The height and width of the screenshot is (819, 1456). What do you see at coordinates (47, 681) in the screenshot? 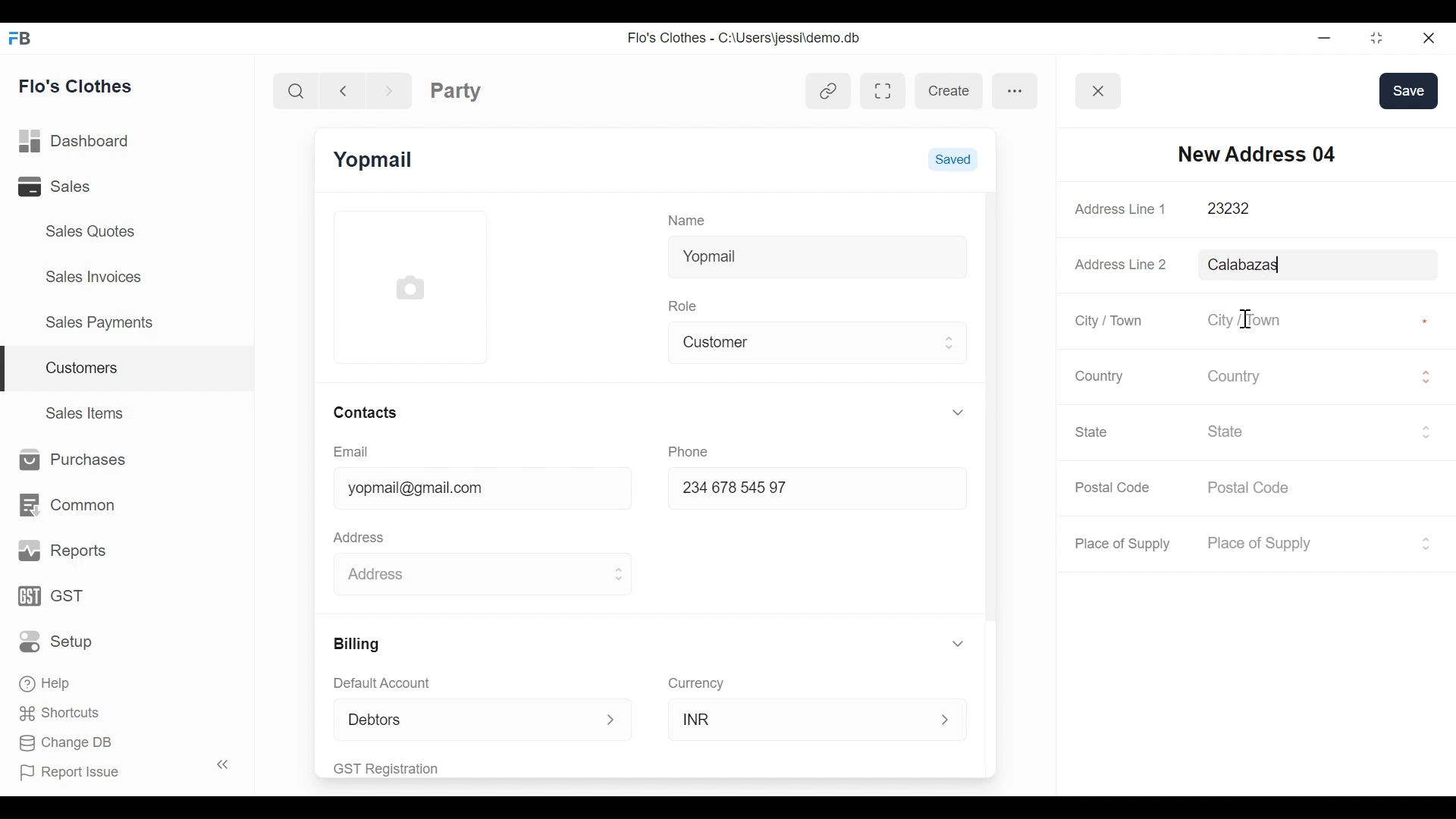
I see `Help` at bounding box center [47, 681].